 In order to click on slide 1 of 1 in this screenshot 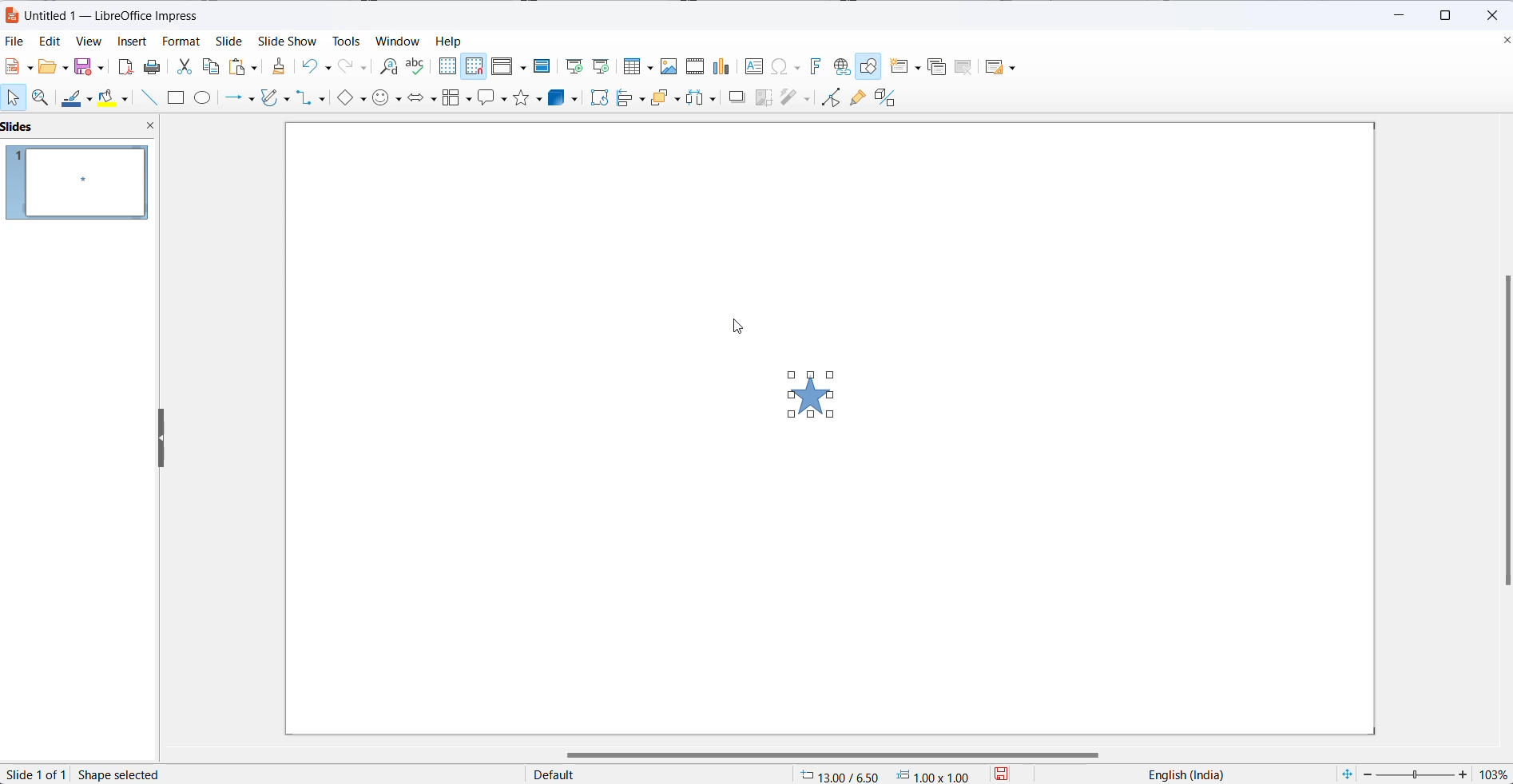, I will do `click(34, 774)`.